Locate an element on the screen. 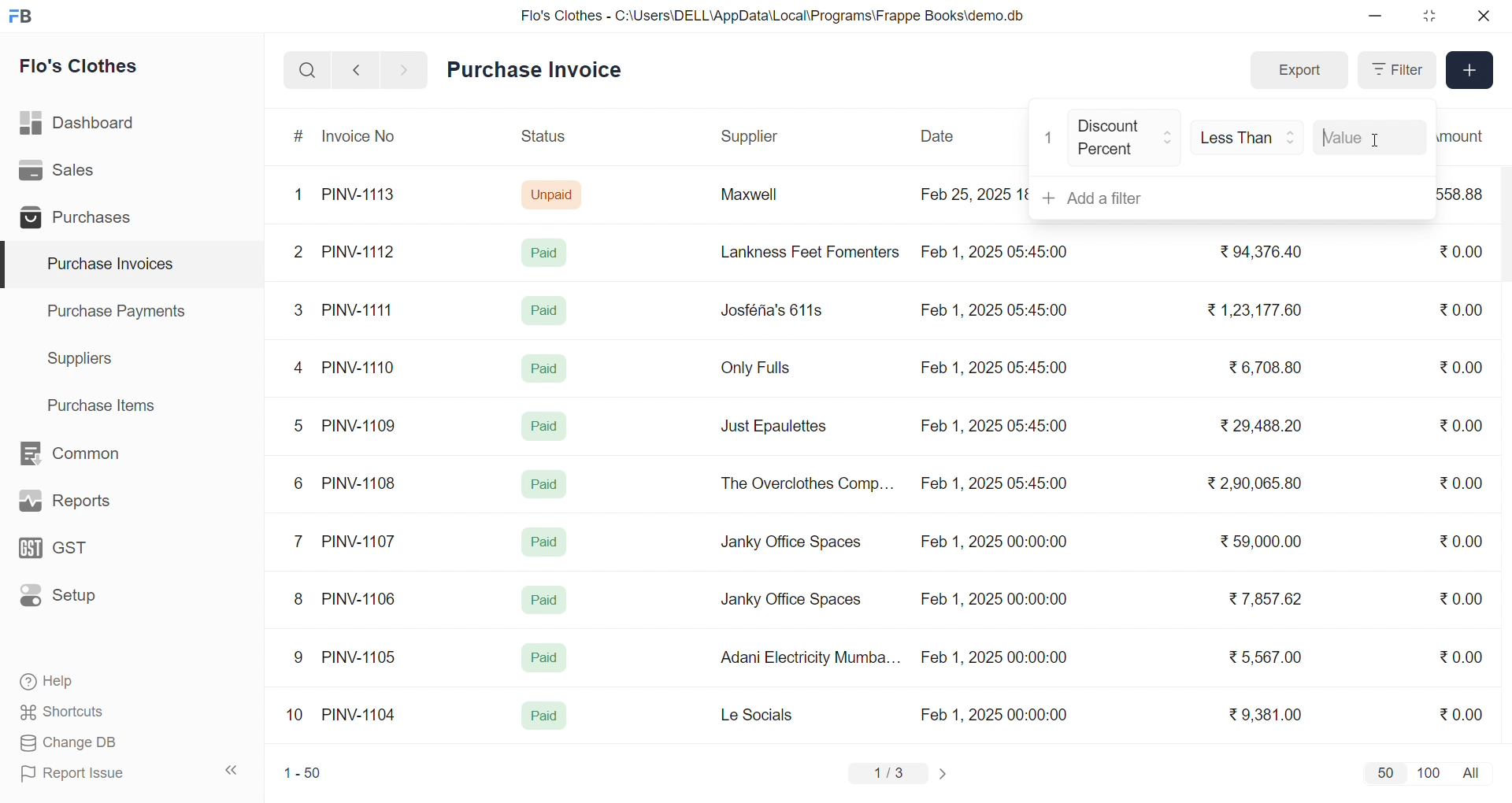  resize is located at coordinates (1429, 16).